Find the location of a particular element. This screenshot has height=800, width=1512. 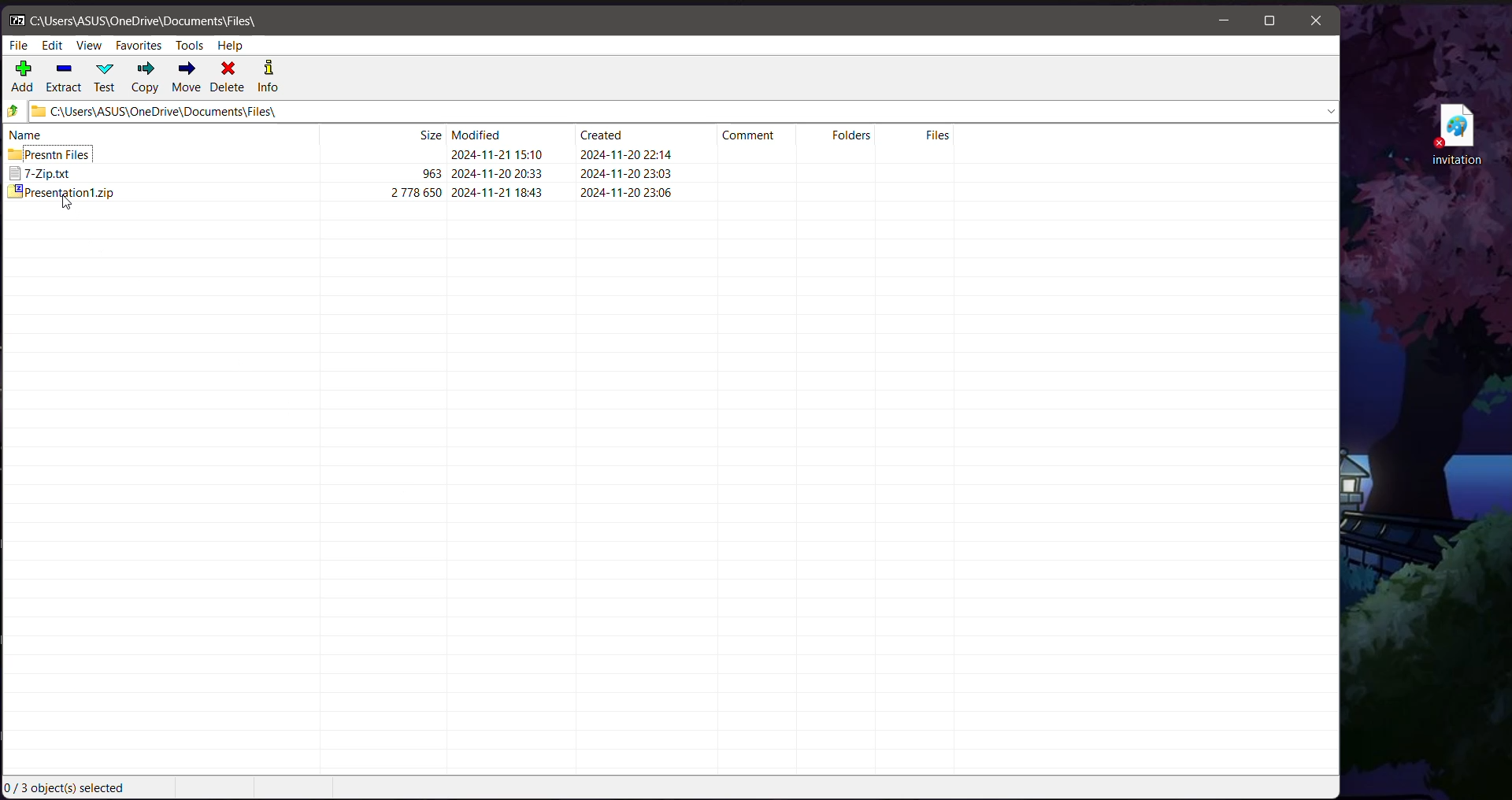

Favorites is located at coordinates (139, 46).